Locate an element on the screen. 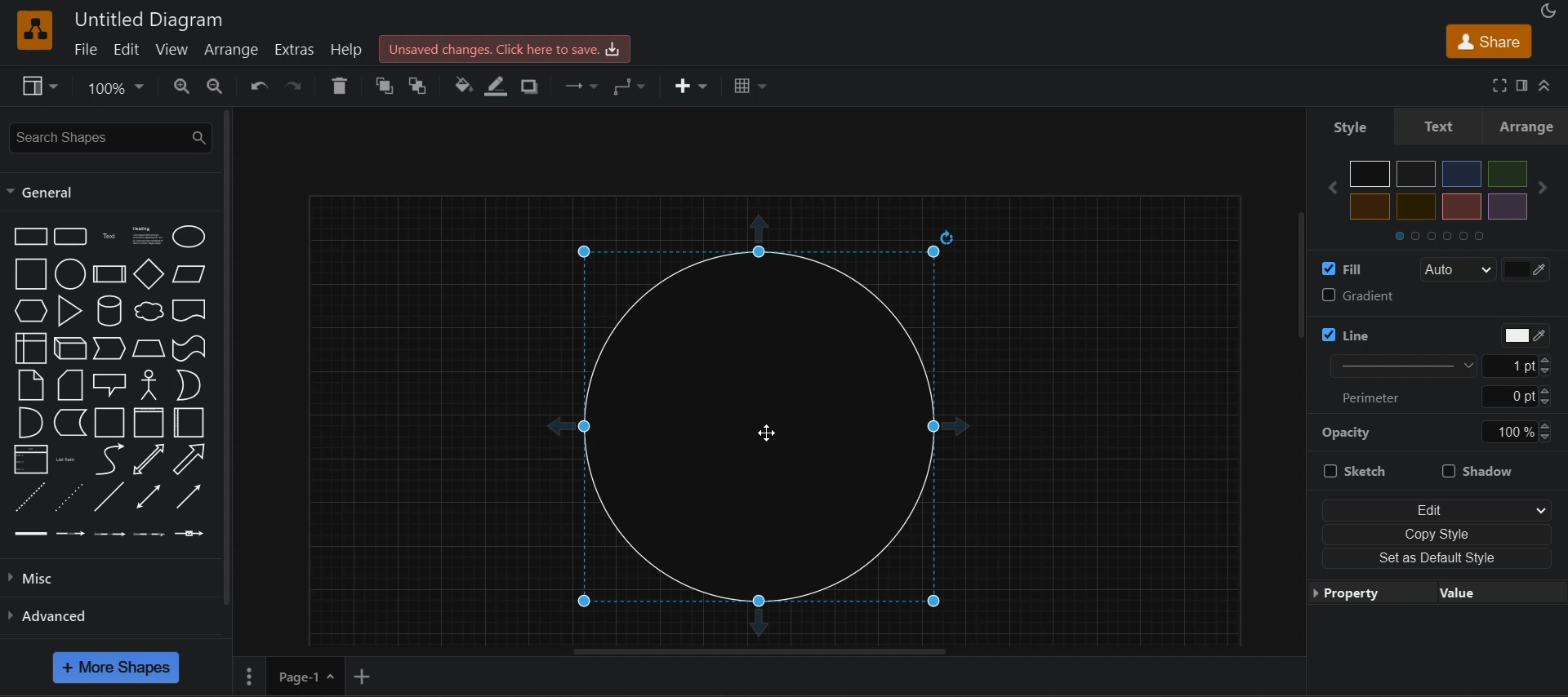 Image resolution: width=1568 pixels, height=697 pixels. Cursor on circle is located at coordinates (776, 435).